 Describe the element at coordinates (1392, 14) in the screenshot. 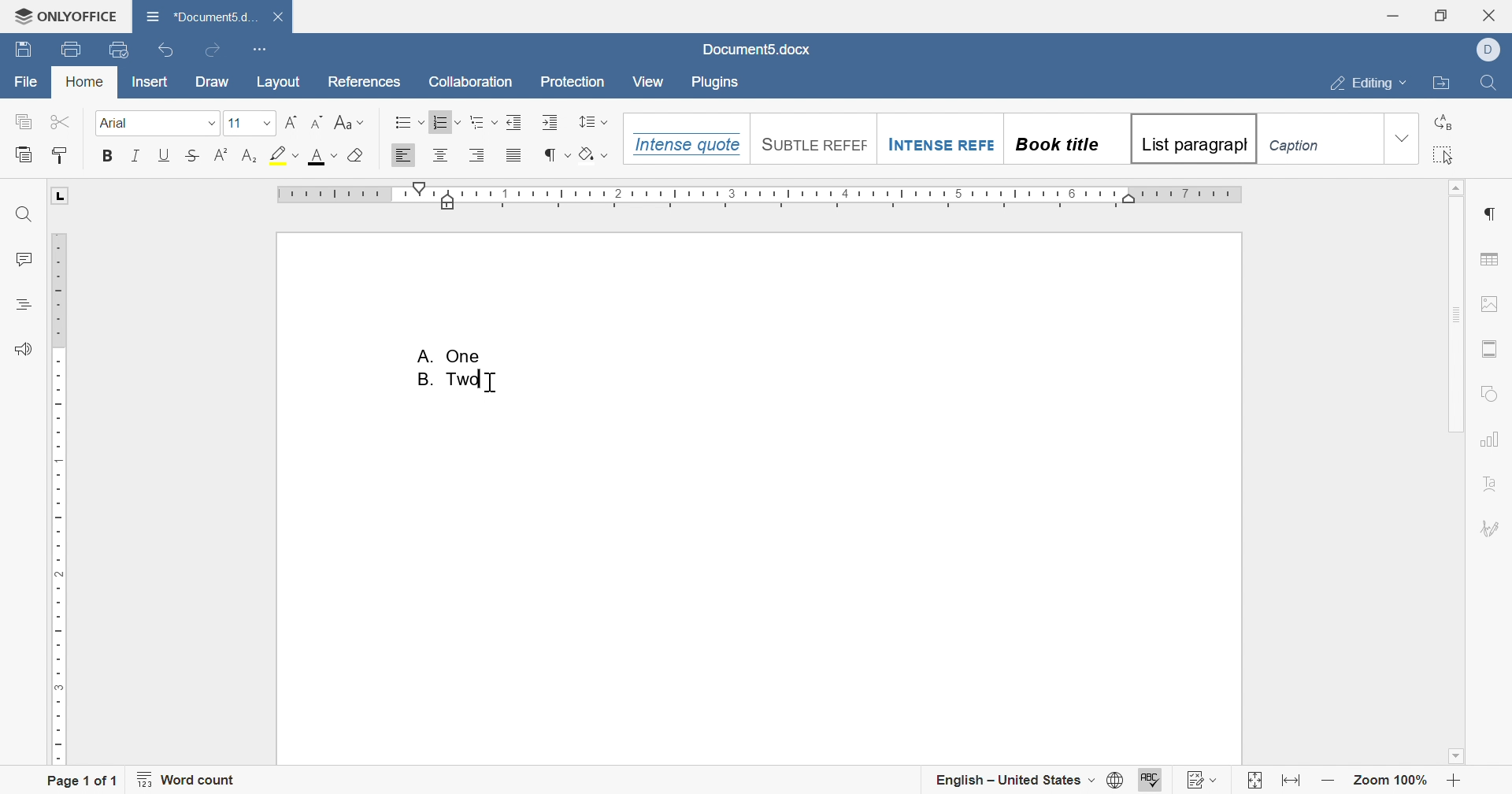

I see `minimize` at that location.